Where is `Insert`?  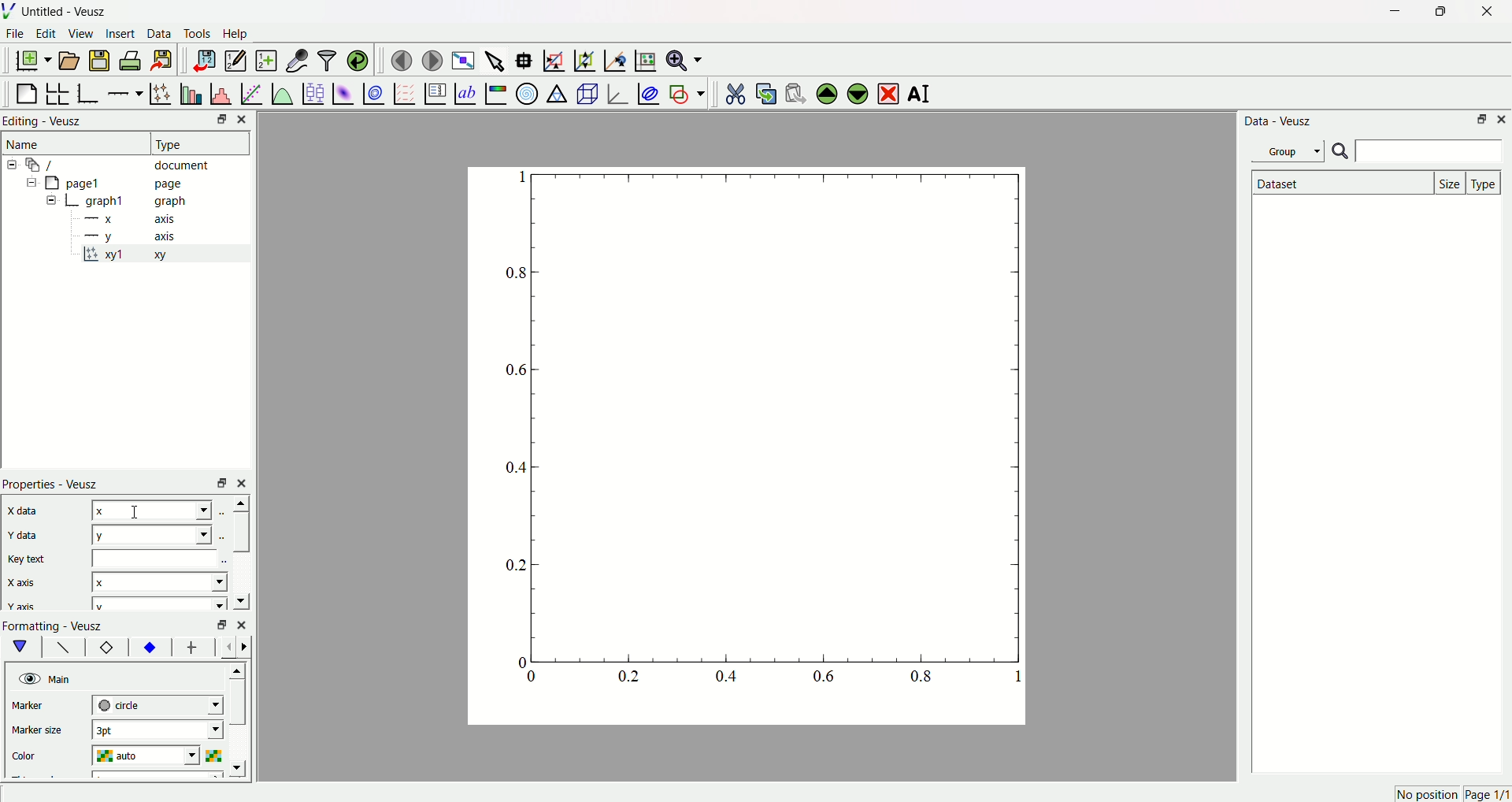
Insert is located at coordinates (120, 35).